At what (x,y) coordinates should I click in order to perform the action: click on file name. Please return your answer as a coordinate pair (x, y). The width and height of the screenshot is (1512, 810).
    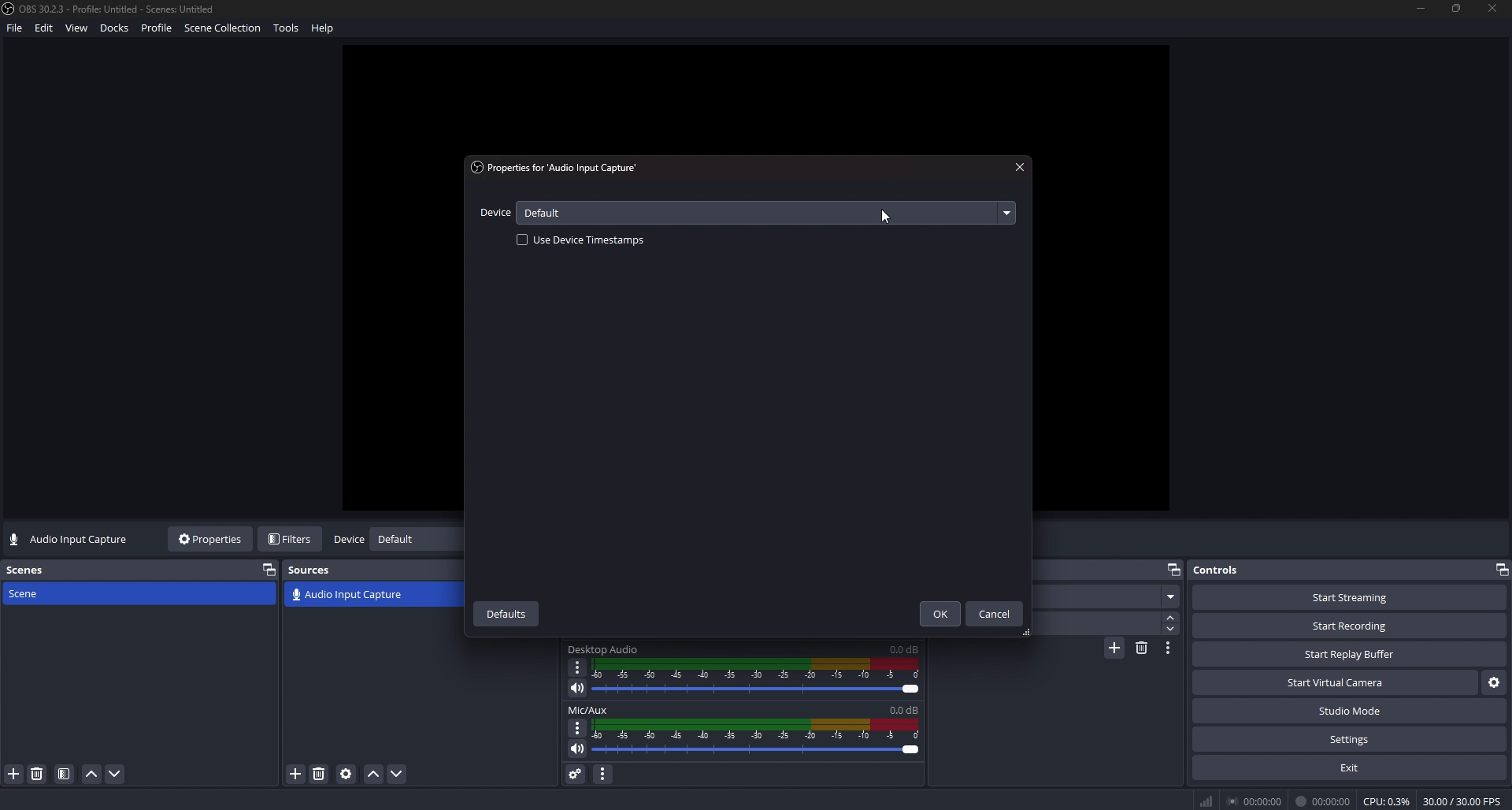
    Looking at the image, I should click on (111, 9).